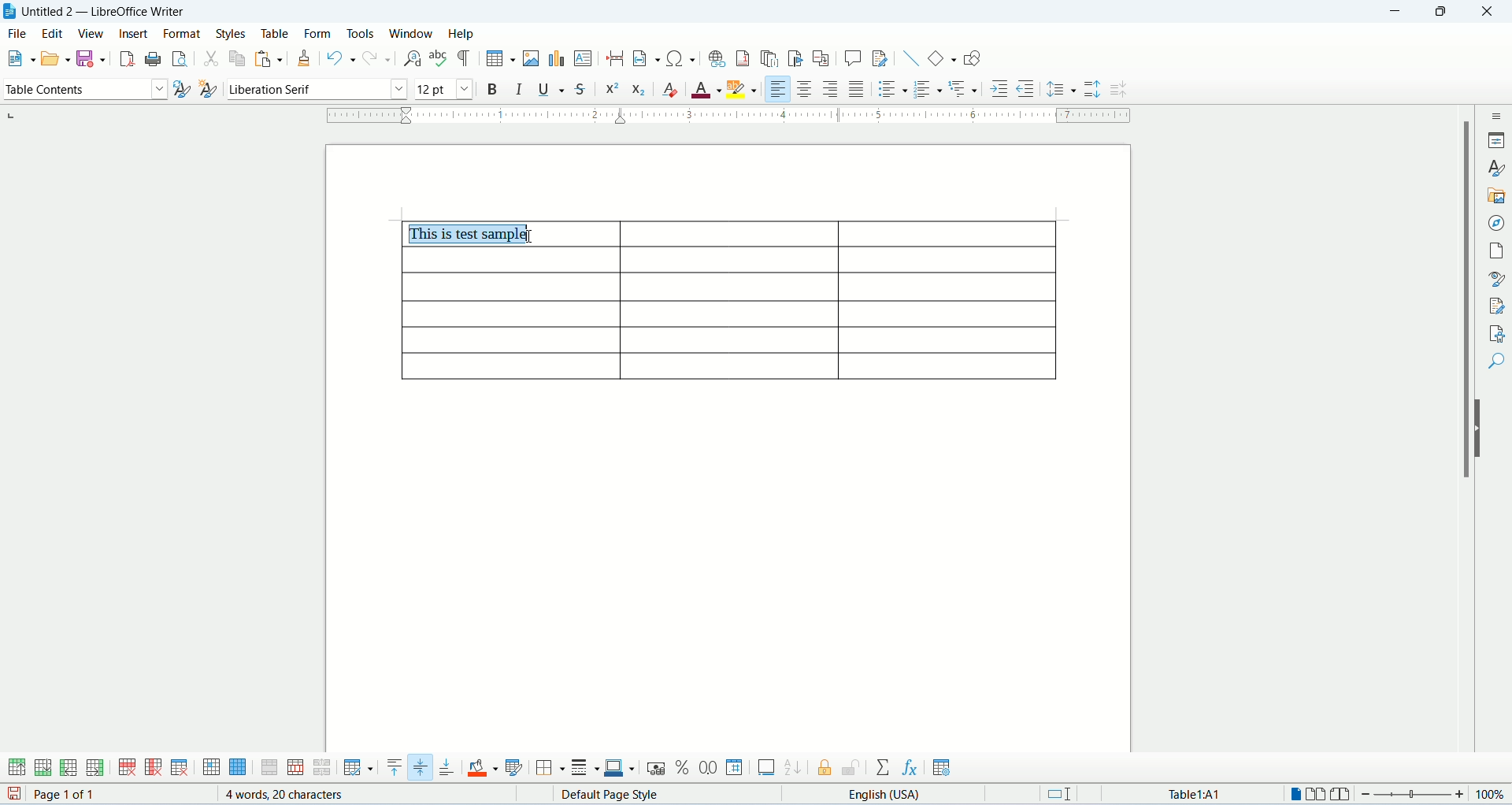  Describe the element at coordinates (439, 57) in the screenshot. I see `spell check` at that location.